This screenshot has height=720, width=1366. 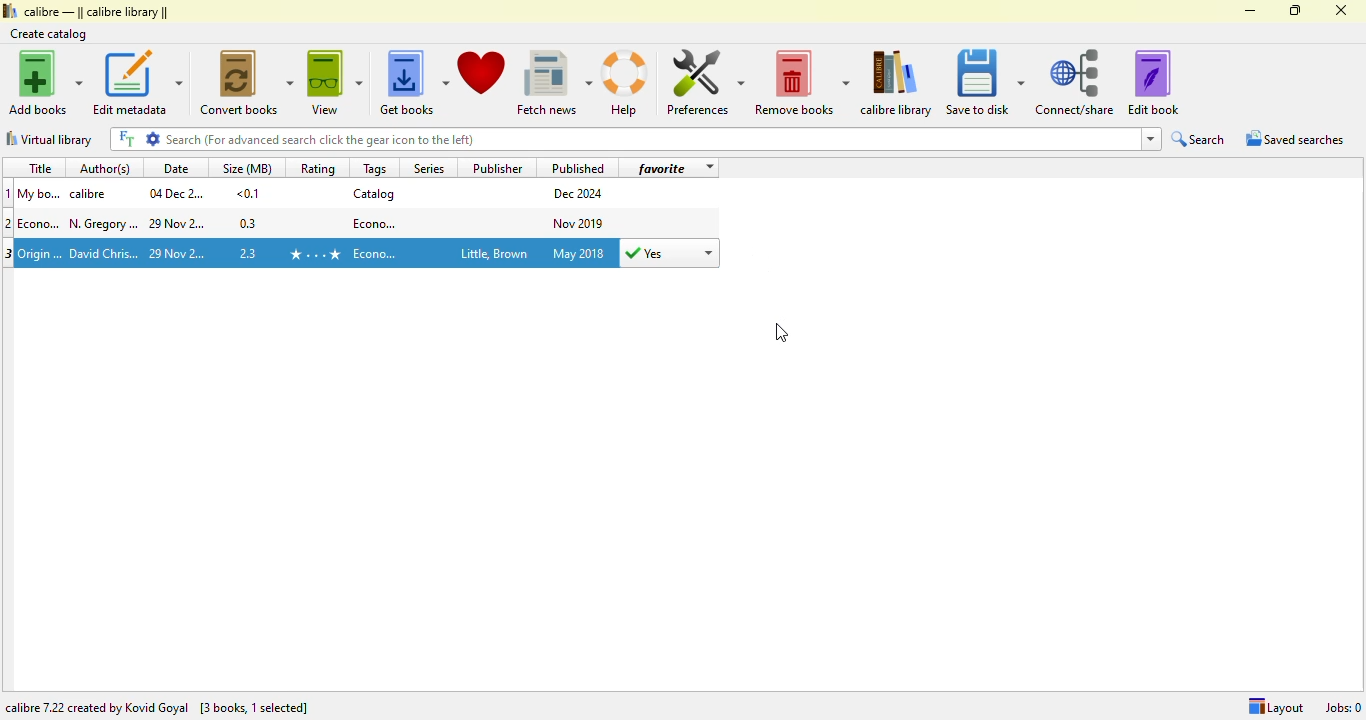 I want to click on size, so click(x=250, y=251).